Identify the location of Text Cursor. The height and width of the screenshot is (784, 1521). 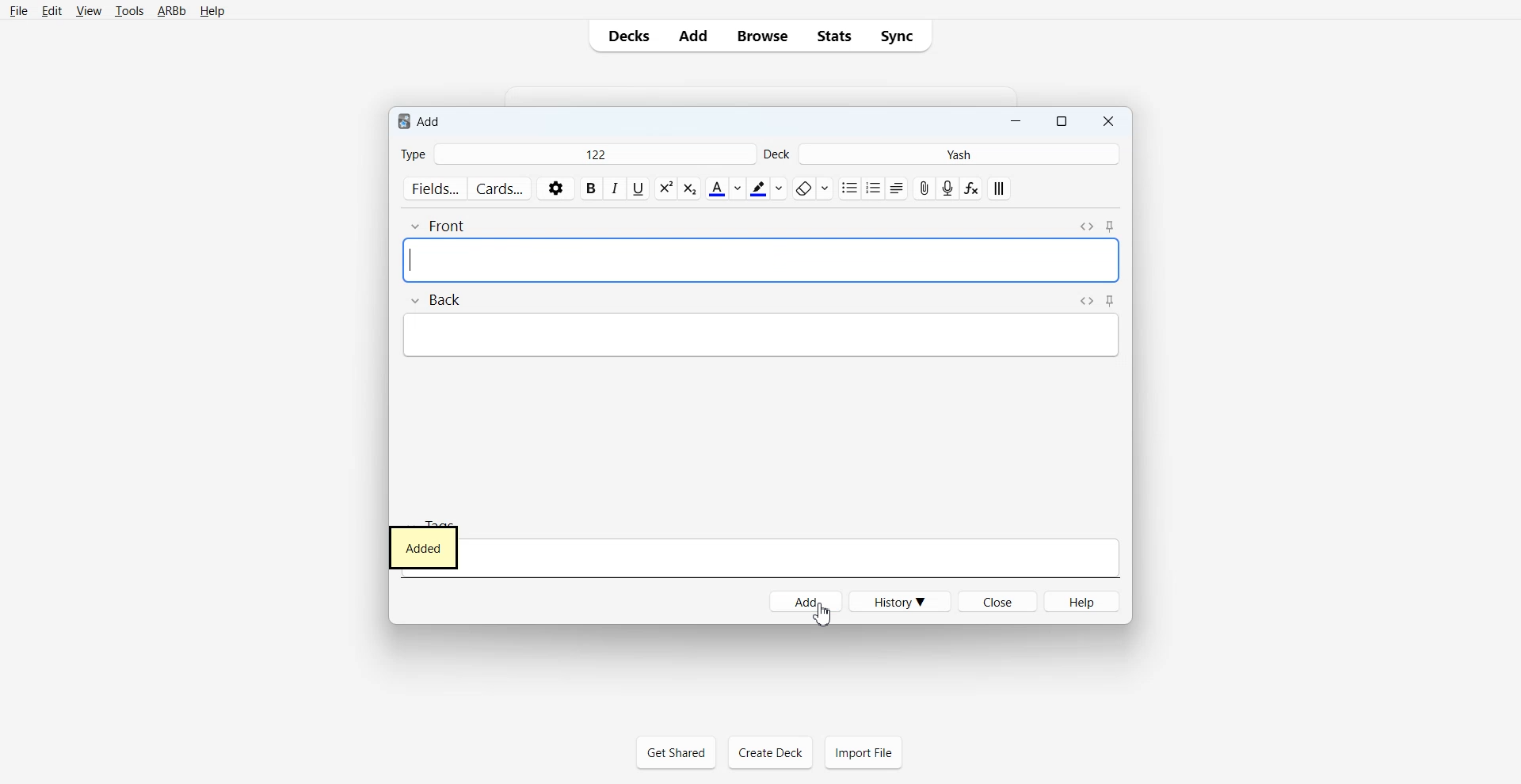
(414, 261).